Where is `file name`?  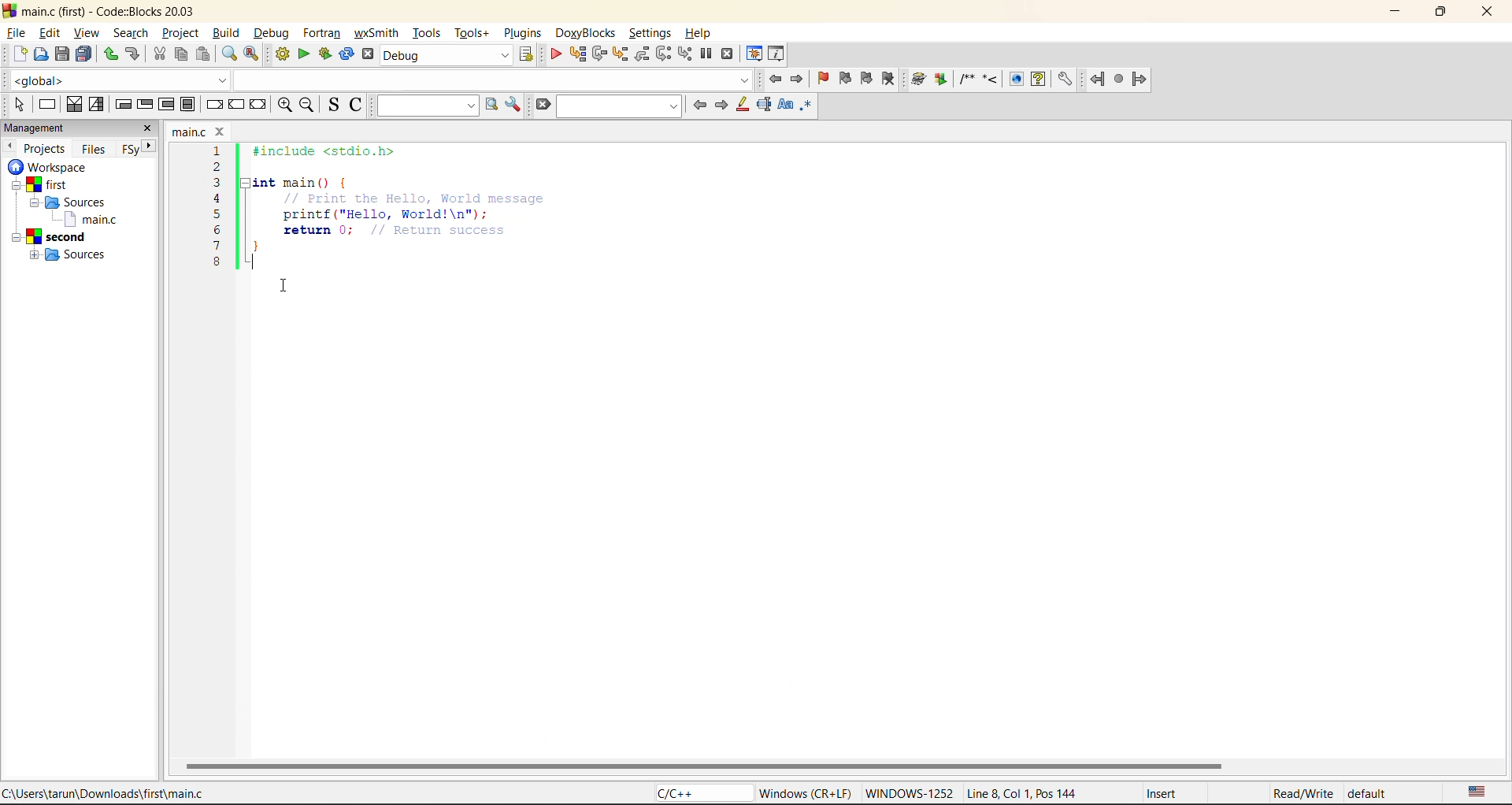 file name is located at coordinates (201, 131).